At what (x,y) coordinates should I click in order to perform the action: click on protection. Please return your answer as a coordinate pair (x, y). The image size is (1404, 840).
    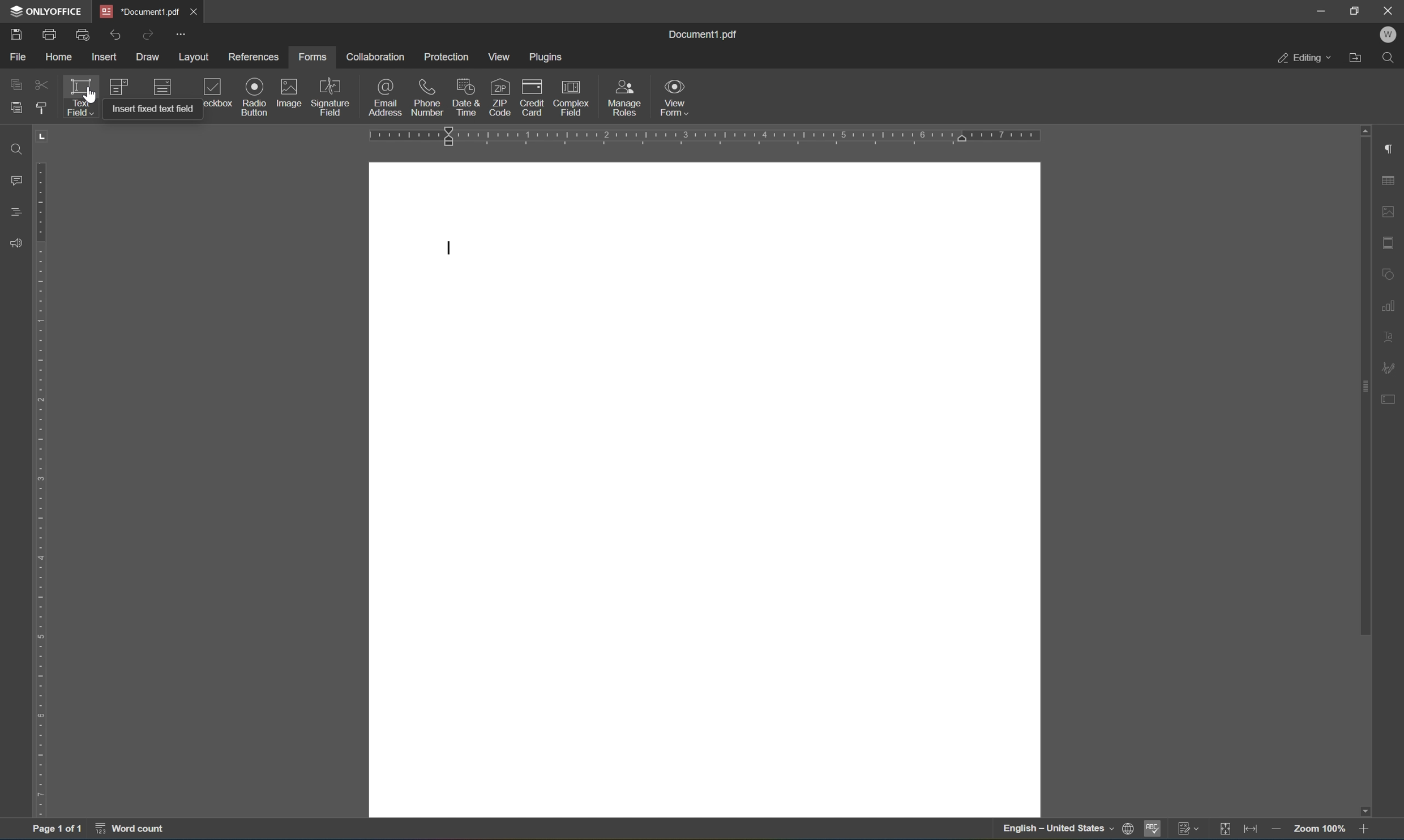
    Looking at the image, I should click on (448, 57).